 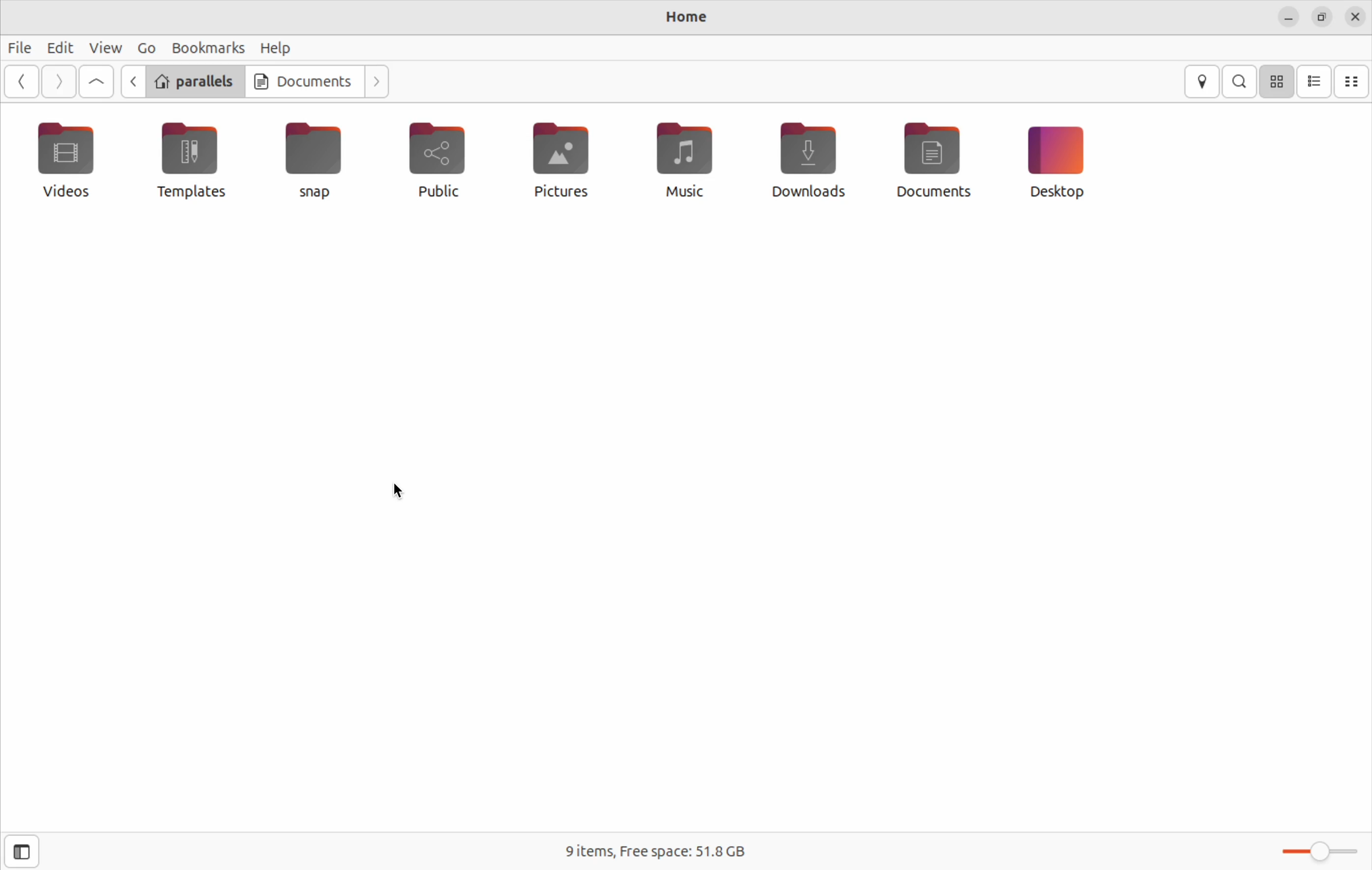 What do you see at coordinates (807, 163) in the screenshot?
I see `Downloads` at bounding box center [807, 163].